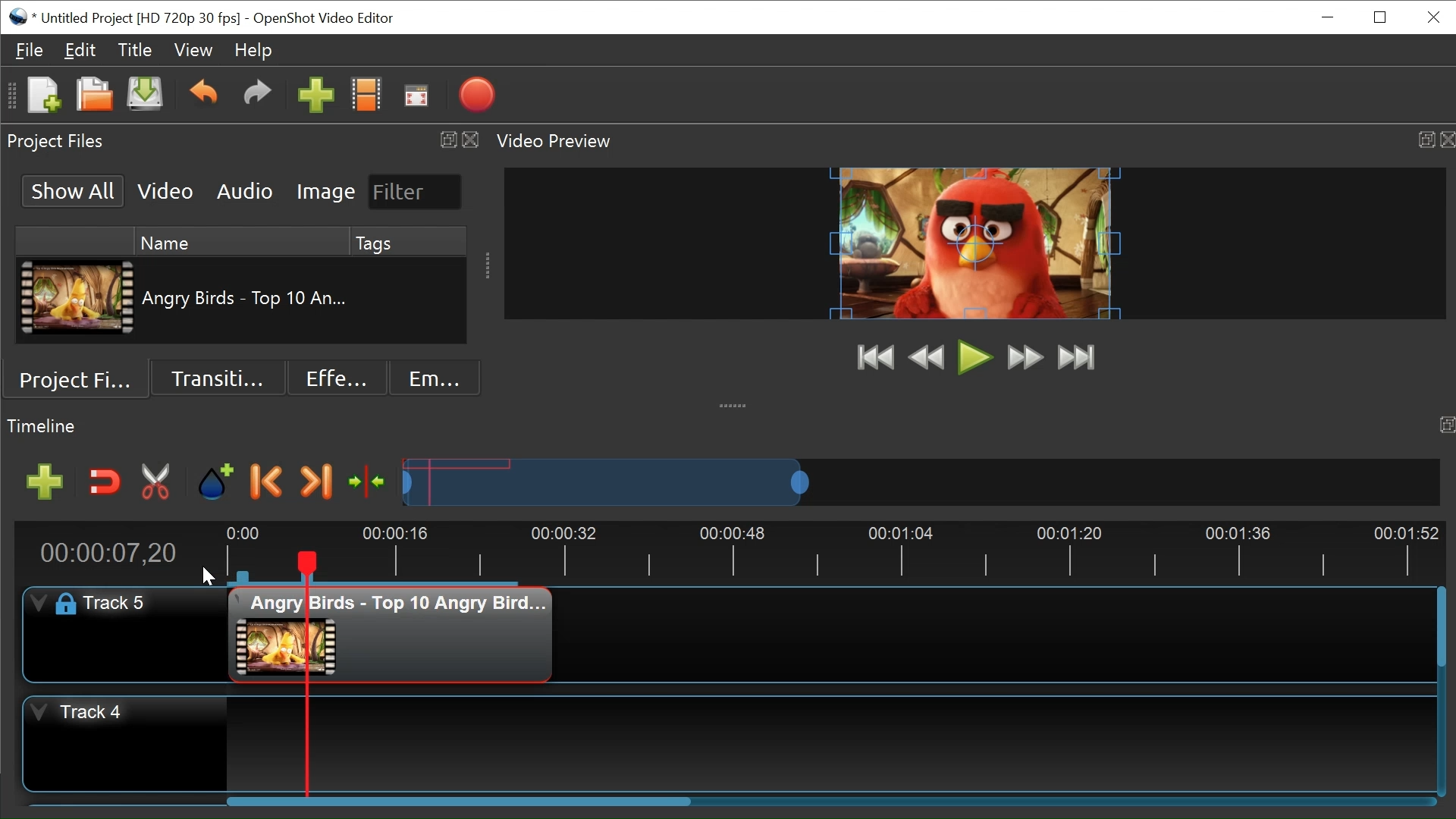  I want to click on Next Marker, so click(316, 482).